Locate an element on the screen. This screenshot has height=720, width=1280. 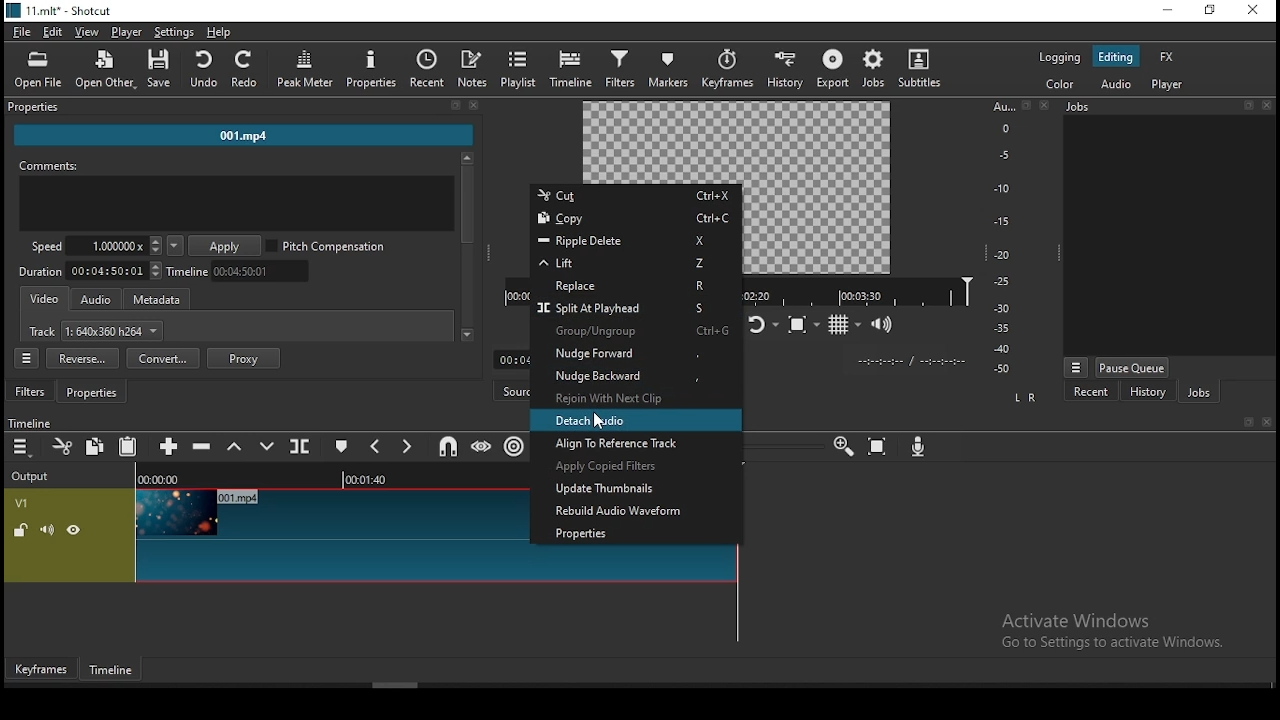
open other is located at coordinates (106, 67).